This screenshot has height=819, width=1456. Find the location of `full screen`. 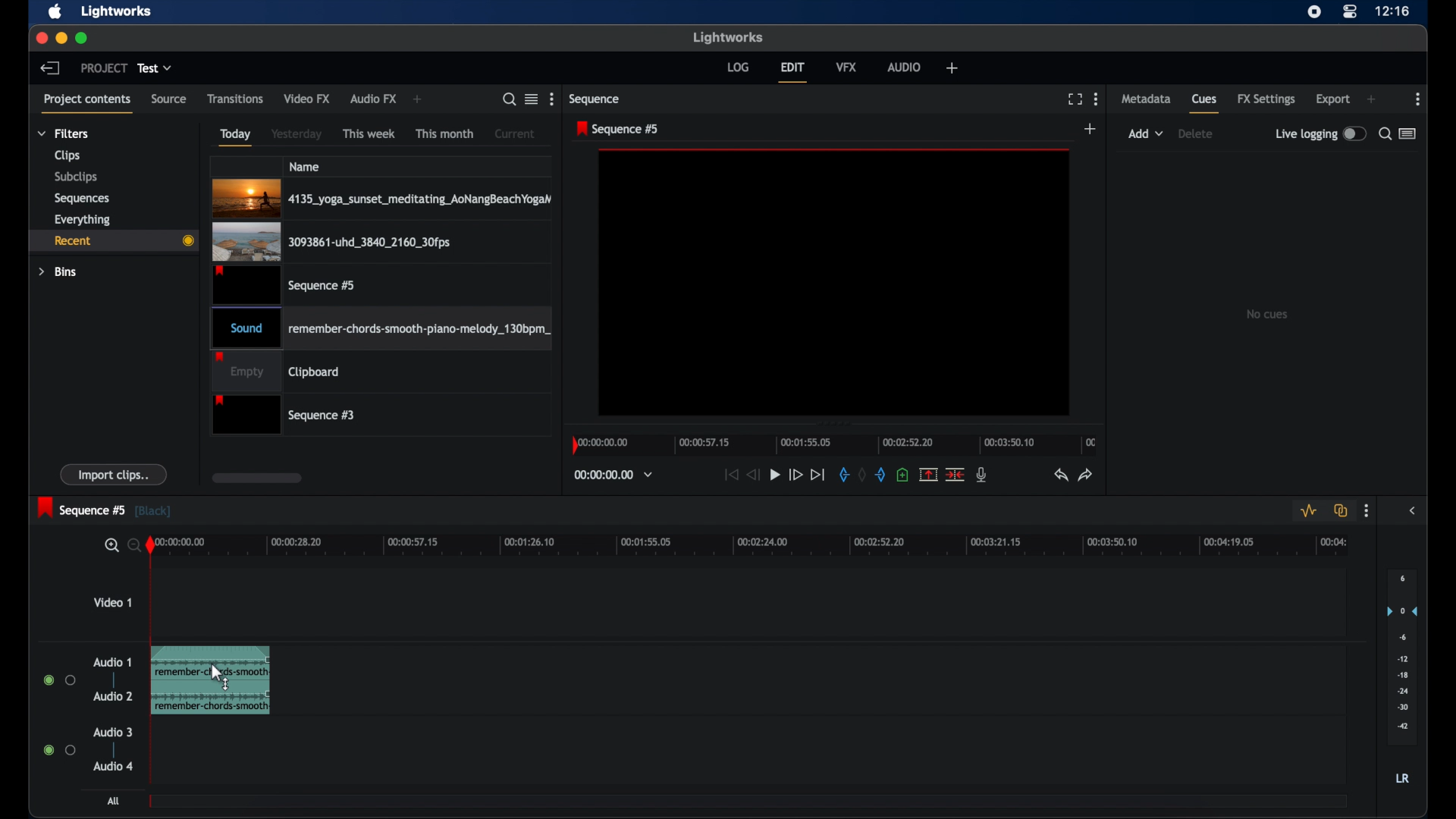

full screen is located at coordinates (1075, 99).